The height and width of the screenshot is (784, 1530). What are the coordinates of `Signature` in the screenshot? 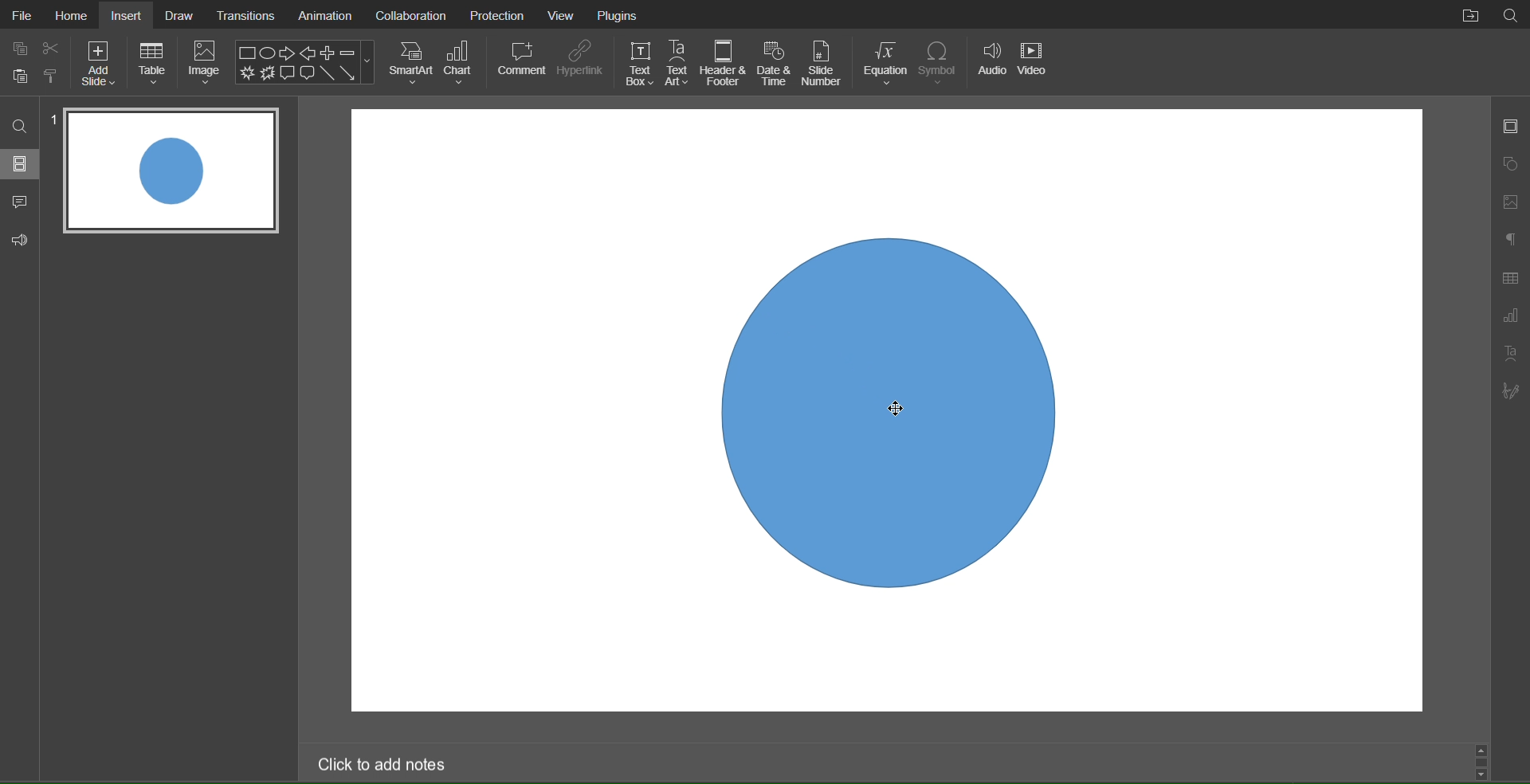 It's located at (1511, 394).